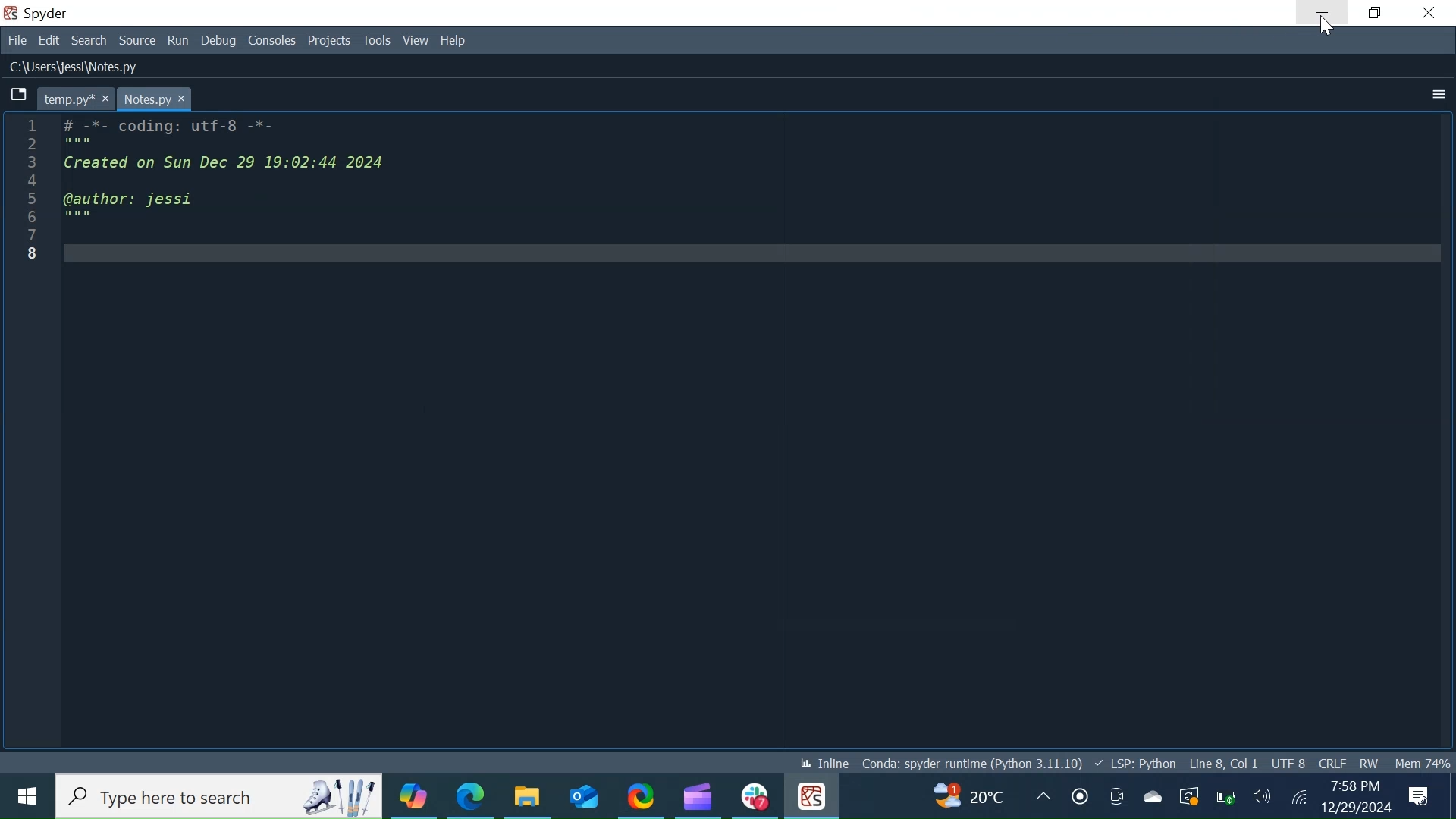 The width and height of the screenshot is (1456, 819). I want to click on Spyder Desktop icon, so click(812, 795).